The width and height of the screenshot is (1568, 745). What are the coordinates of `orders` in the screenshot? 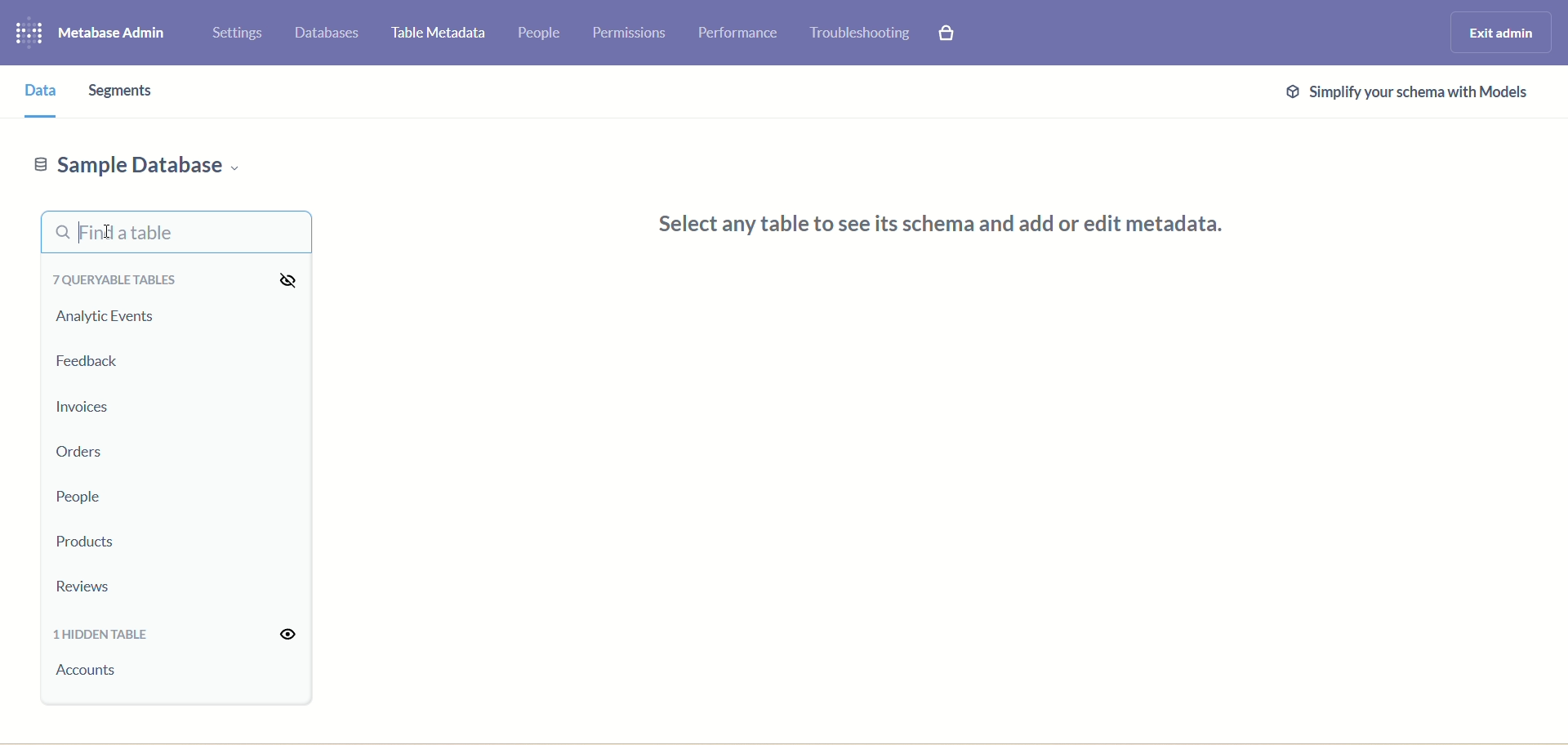 It's located at (79, 452).